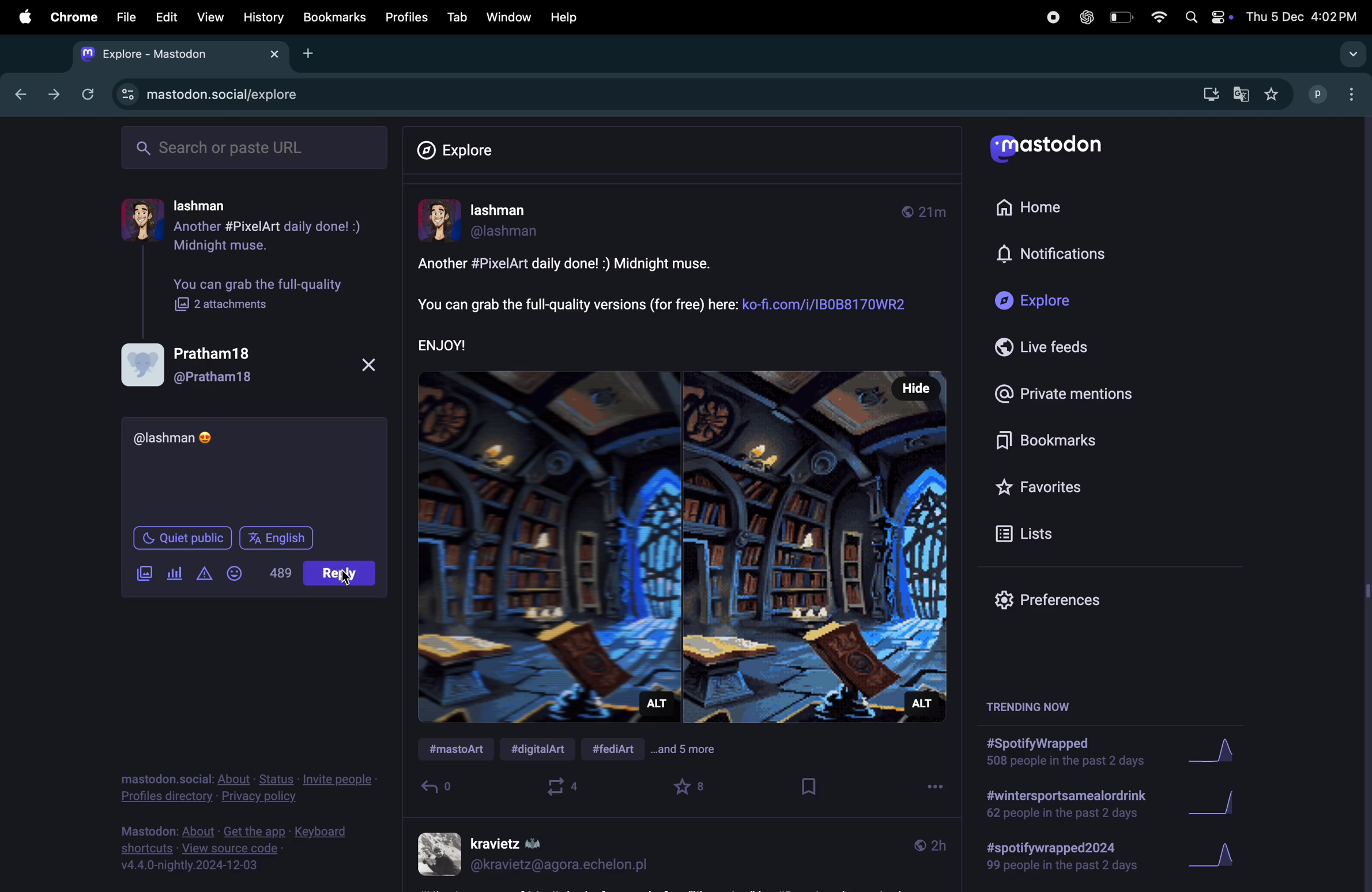 Image resolution: width=1372 pixels, height=892 pixels. What do you see at coordinates (1026, 709) in the screenshot?
I see `trending now` at bounding box center [1026, 709].